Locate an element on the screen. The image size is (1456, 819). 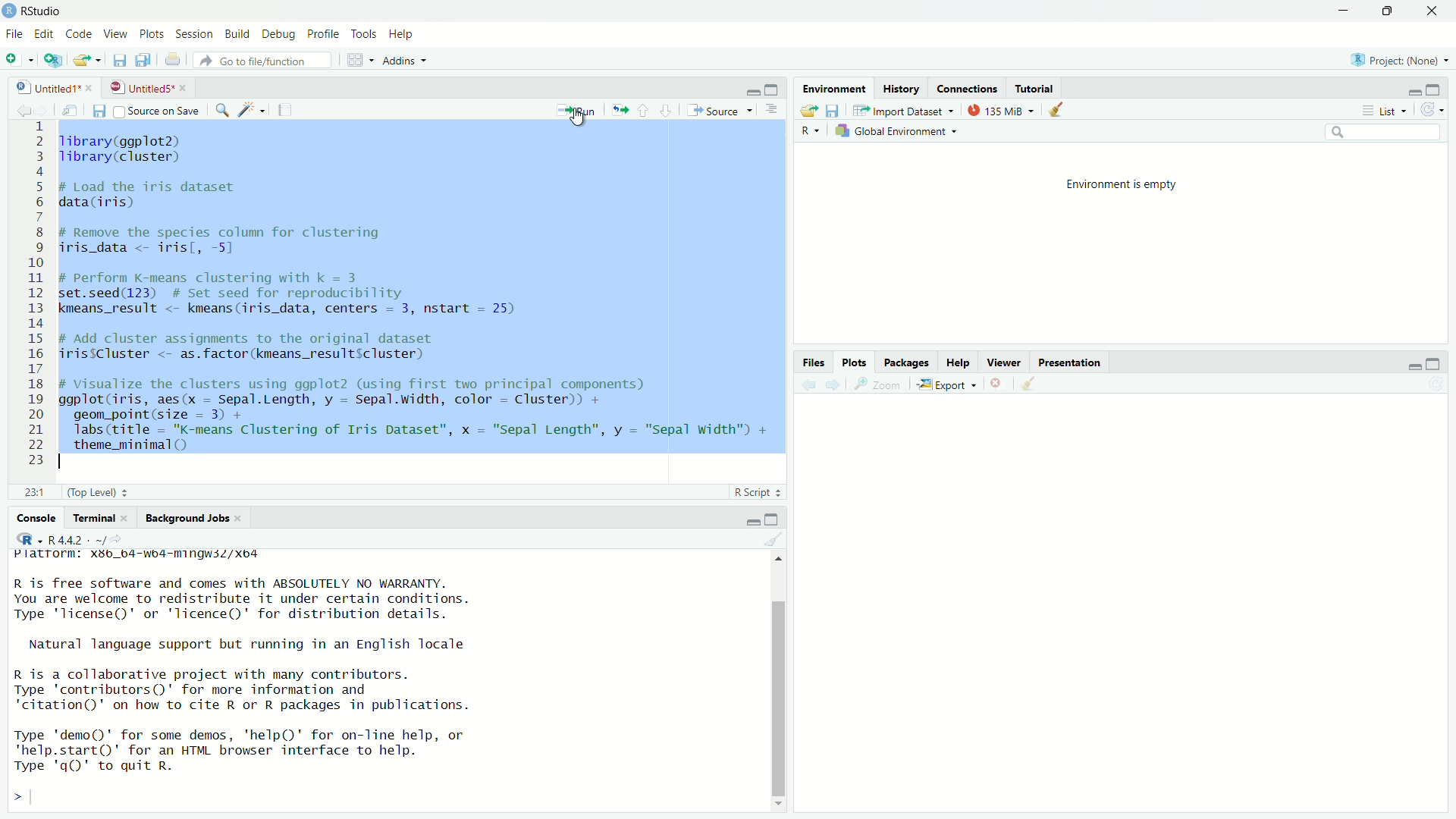
serial number is located at coordinates (33, 296).